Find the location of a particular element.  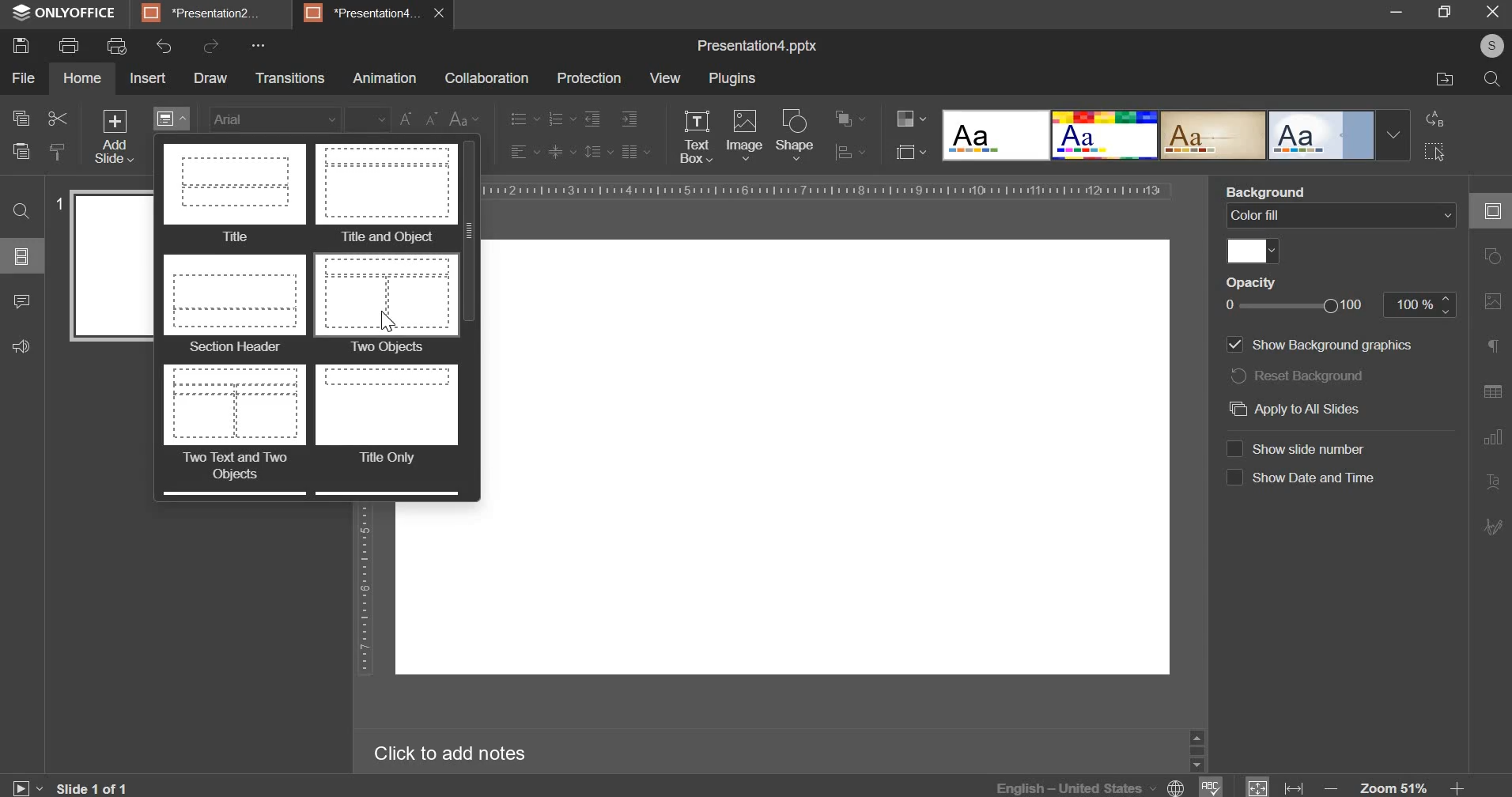

collaboration is located at coordinates (486, 80).